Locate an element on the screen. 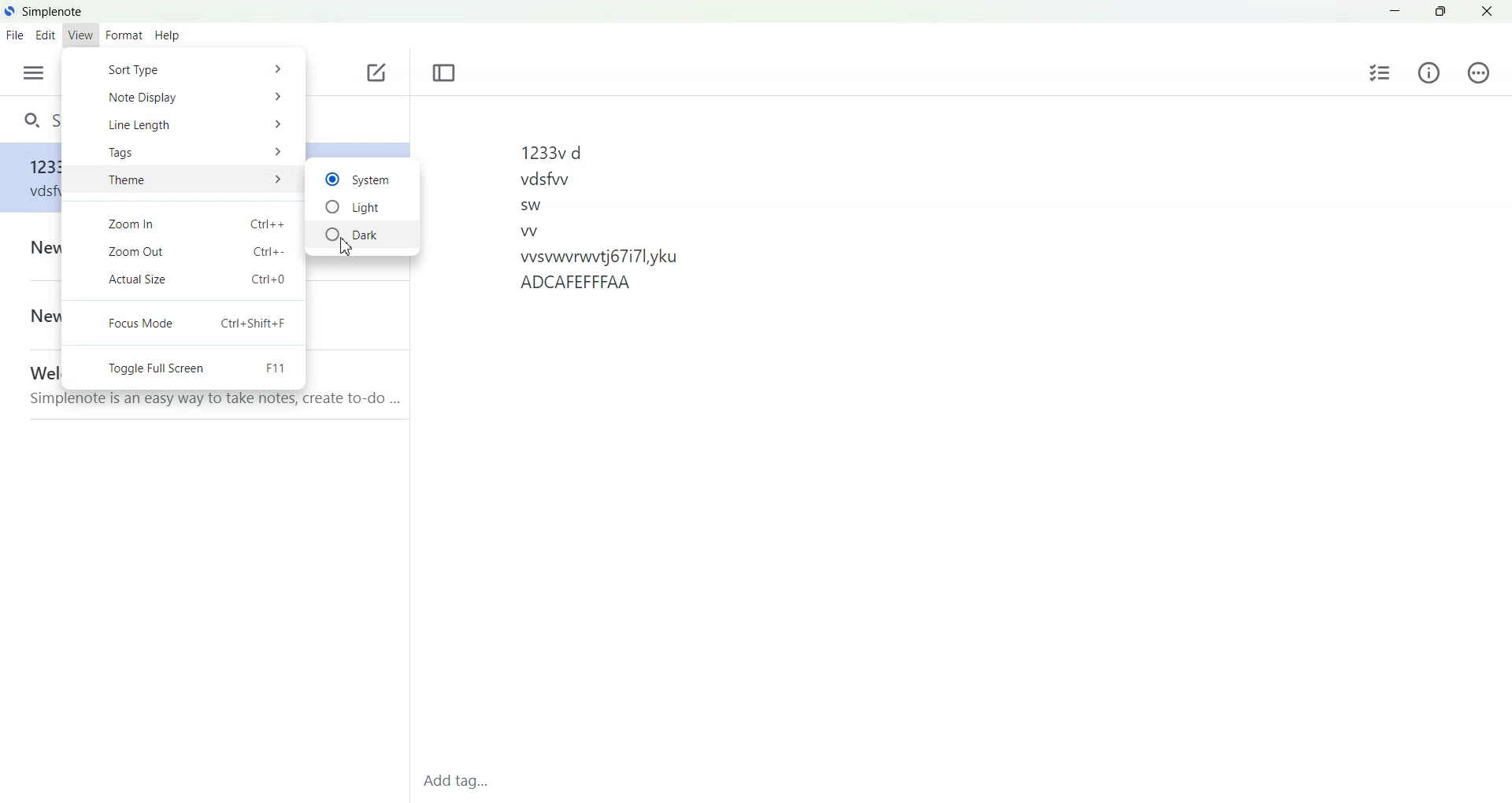 Image resolution: width=1512 pixels, height=803 pixels. Add Tag is located at coordinates (464, 781).